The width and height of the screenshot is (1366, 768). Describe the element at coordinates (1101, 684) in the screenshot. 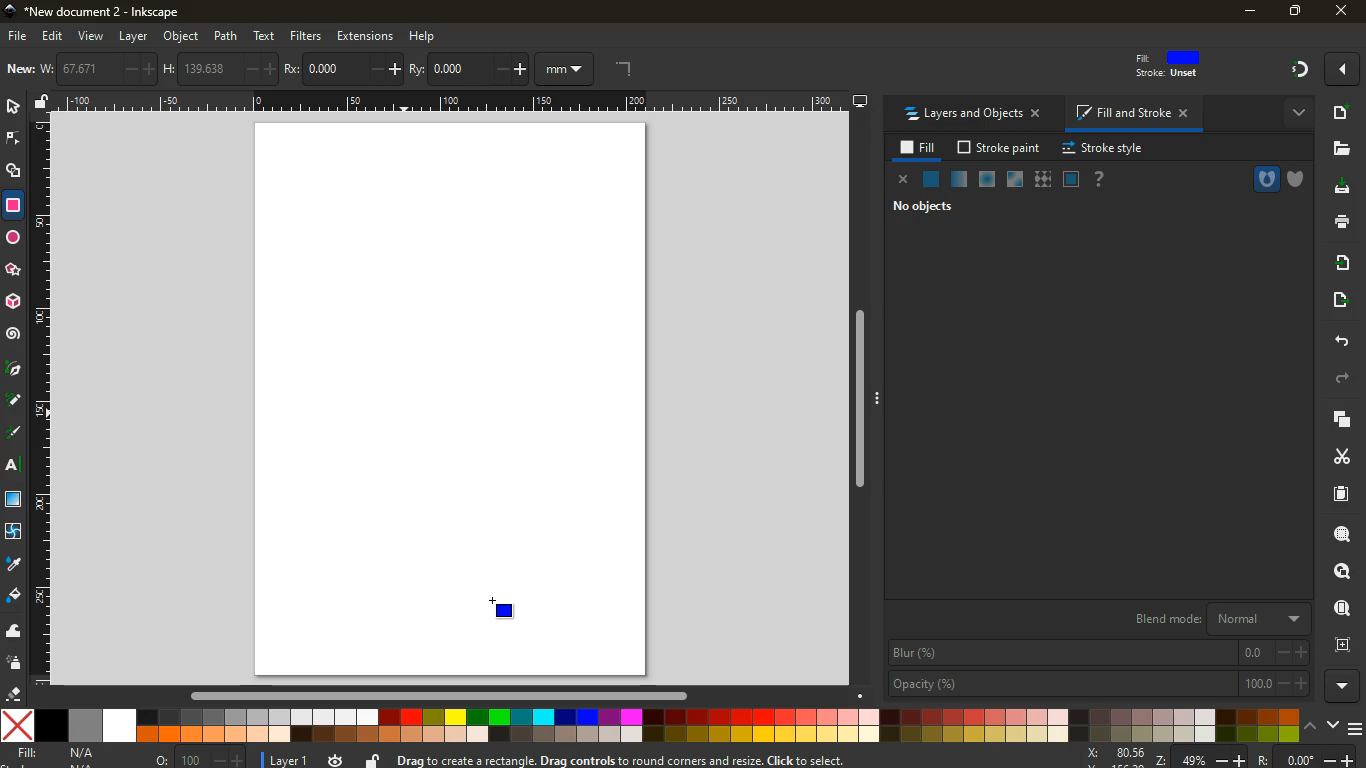

I see `opacity` at that location.